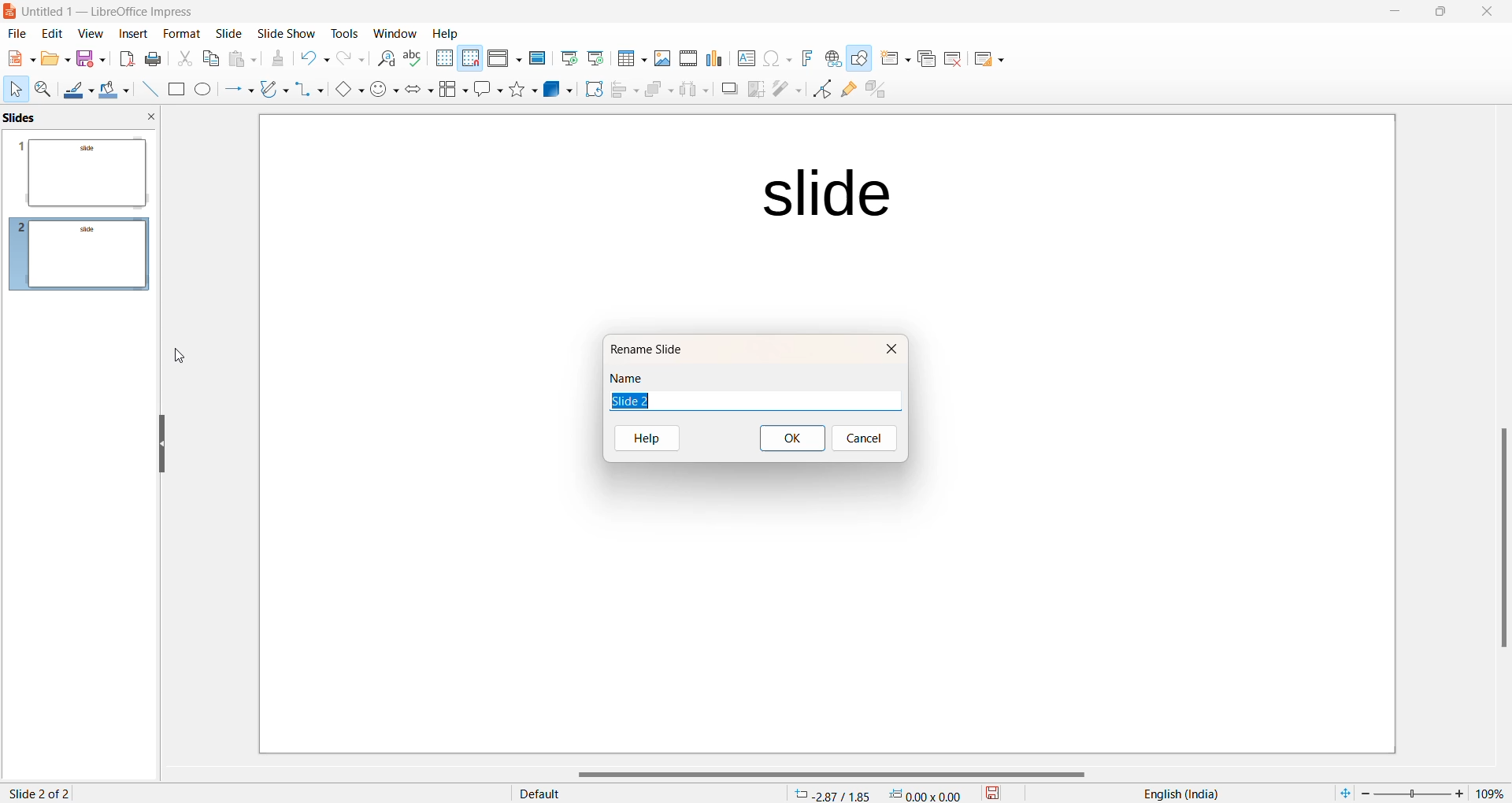 This screenshot has height=803, width=1512. I want to click on Flow chart, so click(451, 90).